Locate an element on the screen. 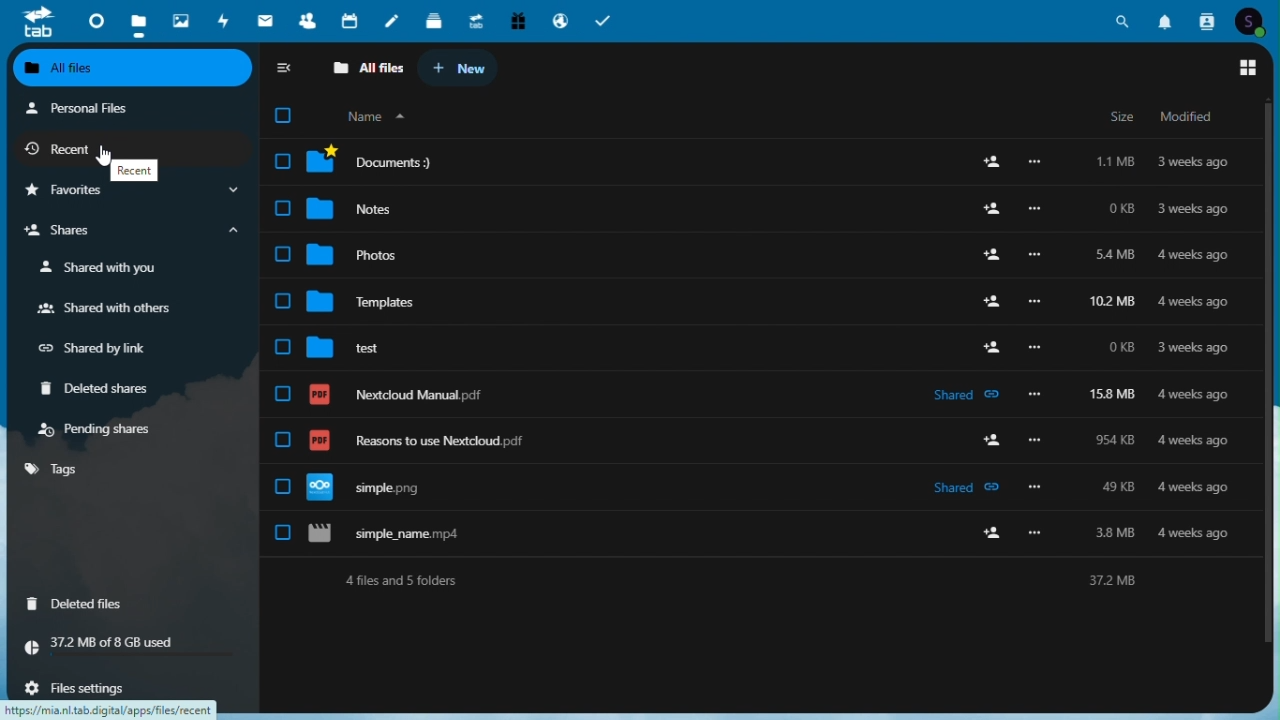 This screenshot has height=720, width=1280. Notifications is located at coordinates (1168, 19).